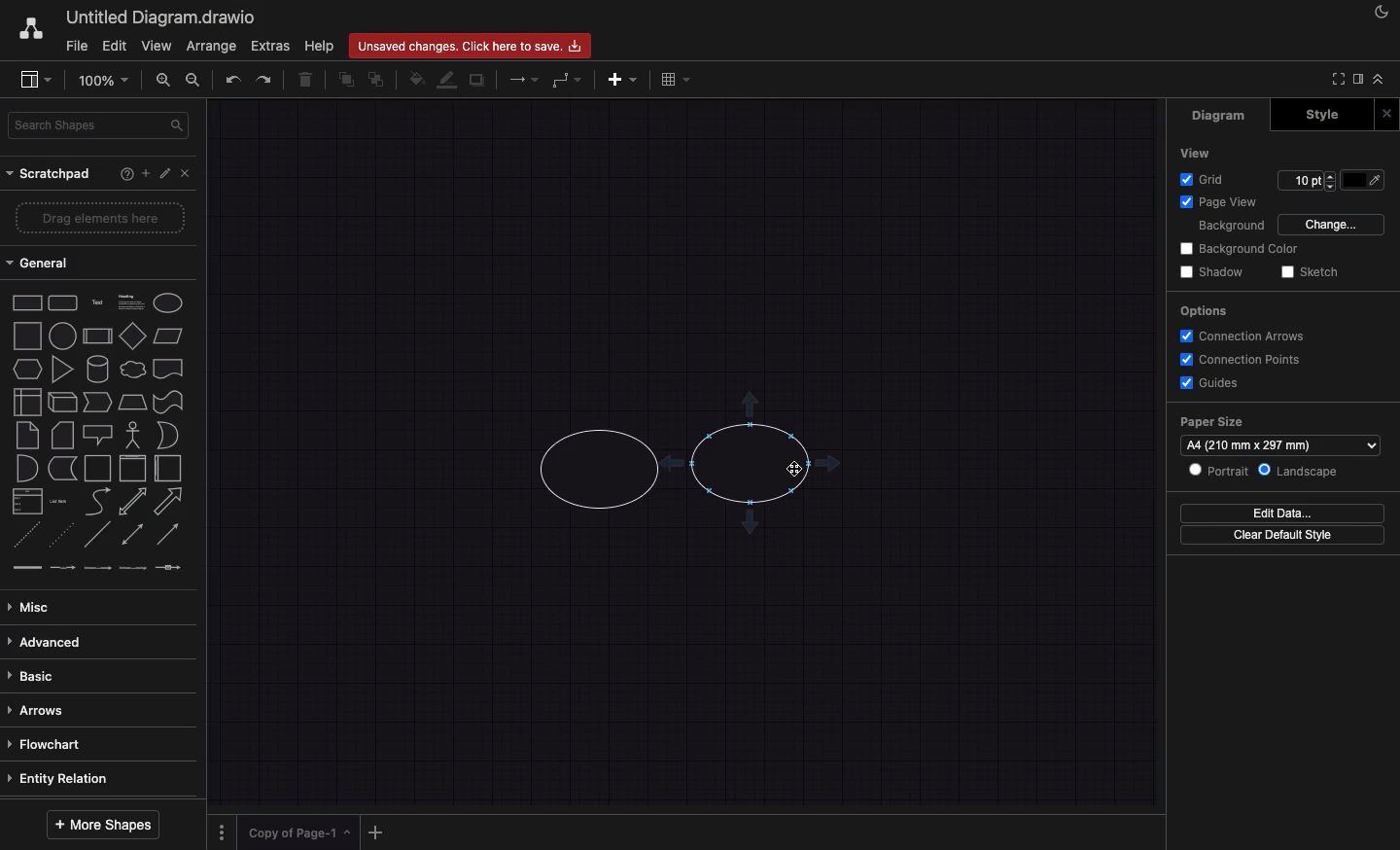  I want to click on or, so click(168, 436).